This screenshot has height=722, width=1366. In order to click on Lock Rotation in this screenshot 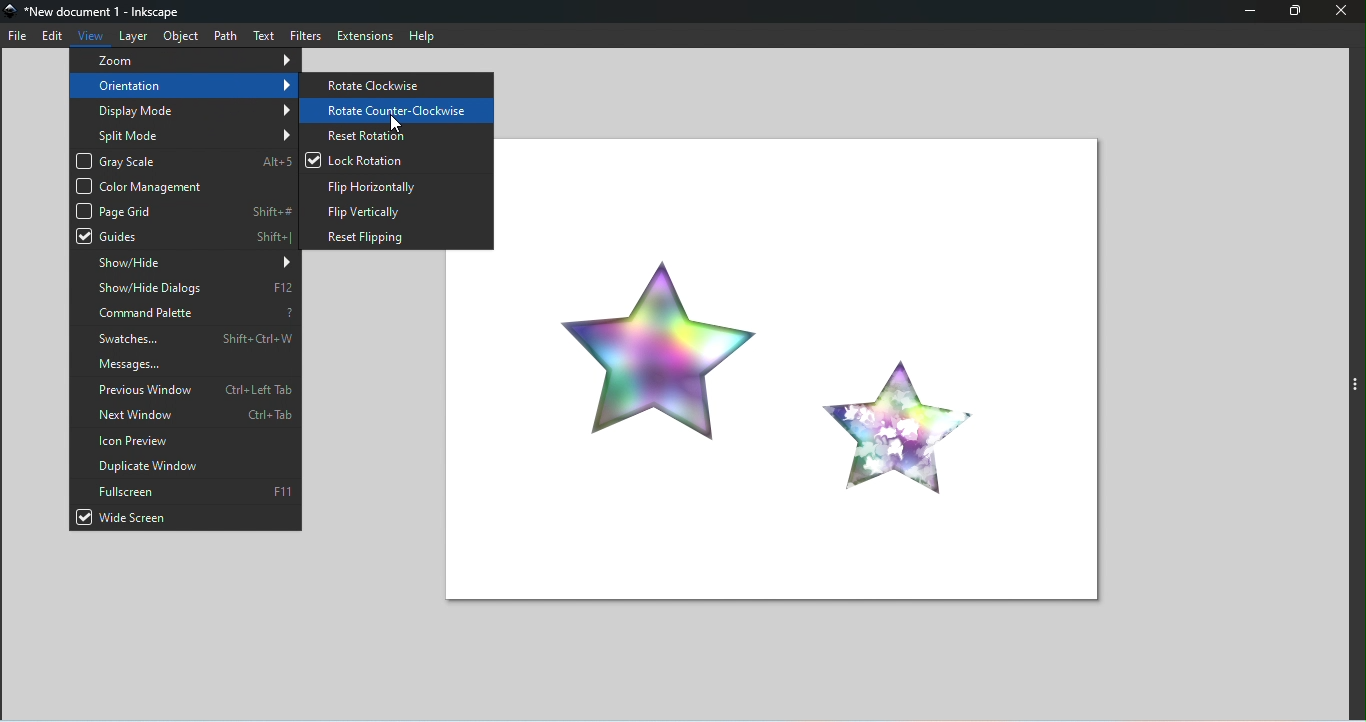, I will do `click(397, 158)`.